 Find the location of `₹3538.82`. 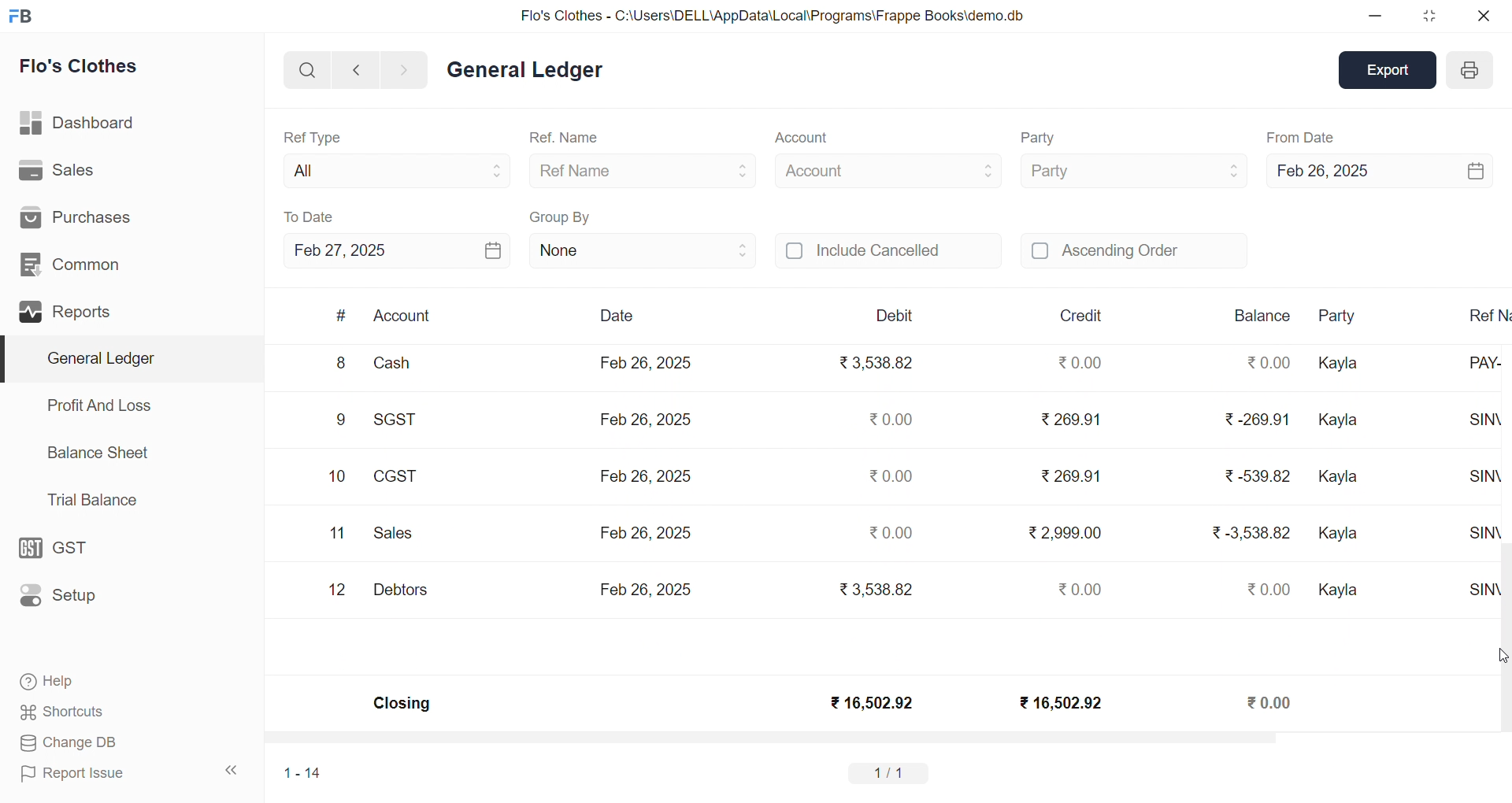

₹3538.82 is located at coordinates (873, 587).